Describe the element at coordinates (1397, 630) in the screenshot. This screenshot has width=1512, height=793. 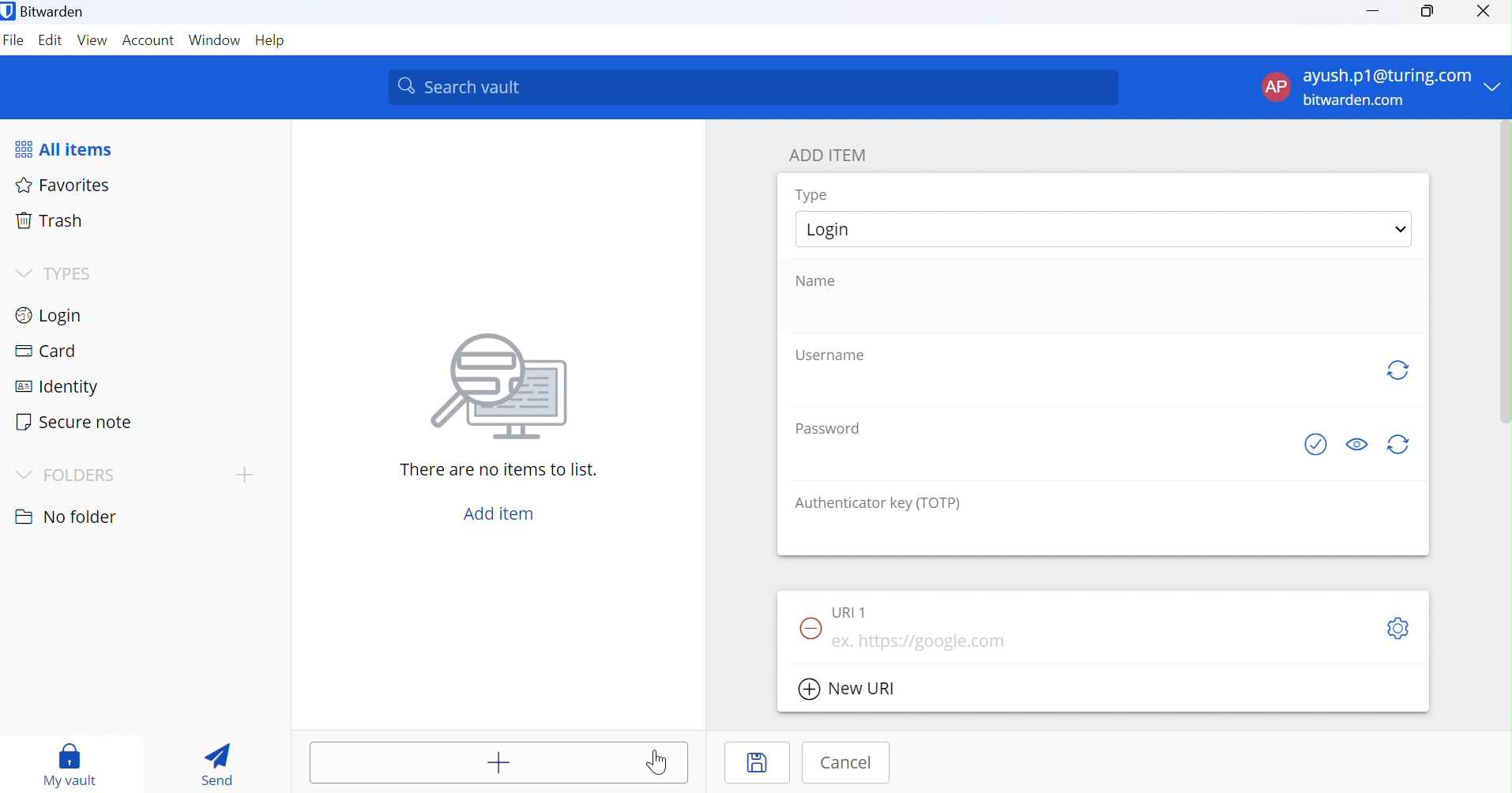
I see `S` at that location.